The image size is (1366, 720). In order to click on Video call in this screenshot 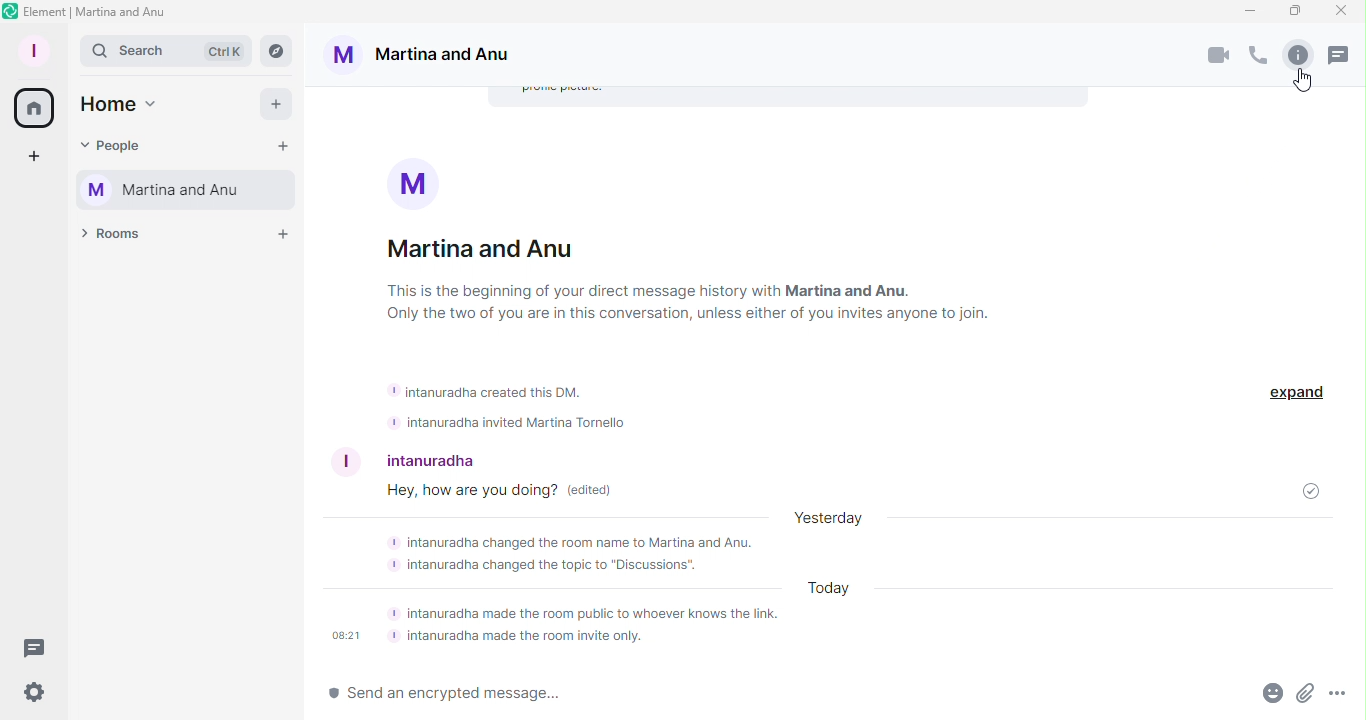, I will do `click(1220, 56)`.